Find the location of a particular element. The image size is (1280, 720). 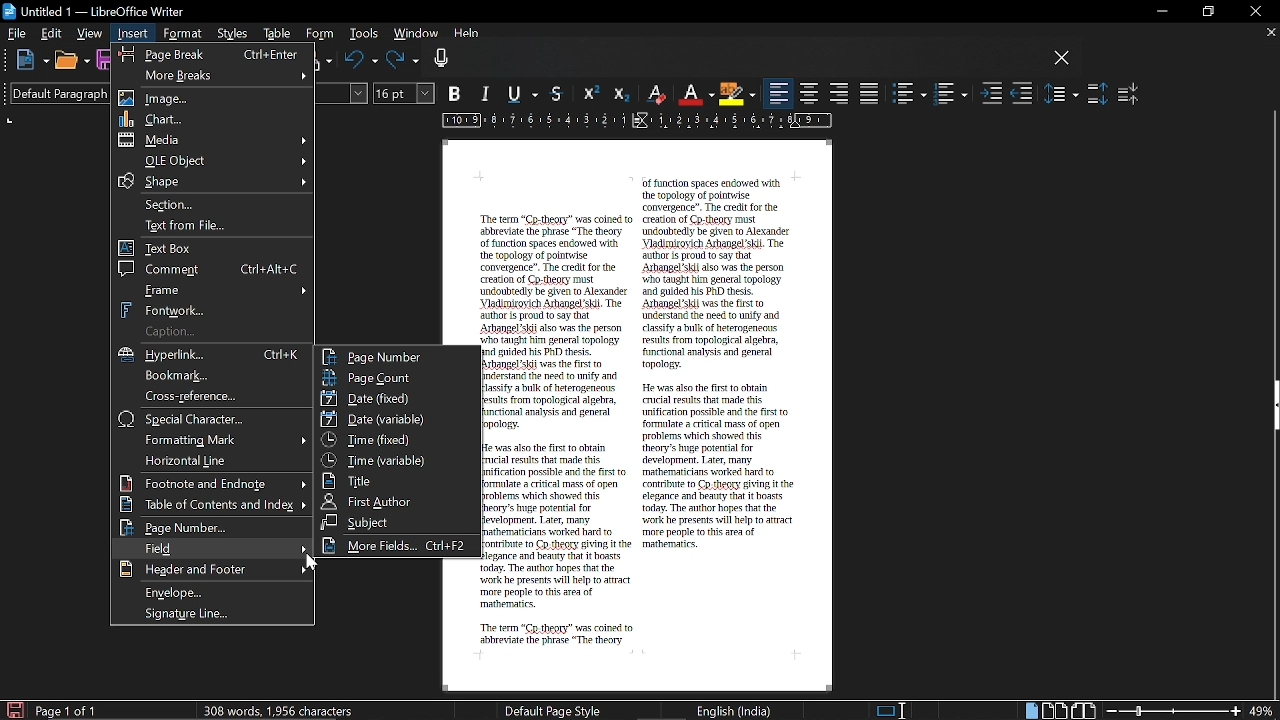

toggle unordered list is located at coordinates (910, 94).